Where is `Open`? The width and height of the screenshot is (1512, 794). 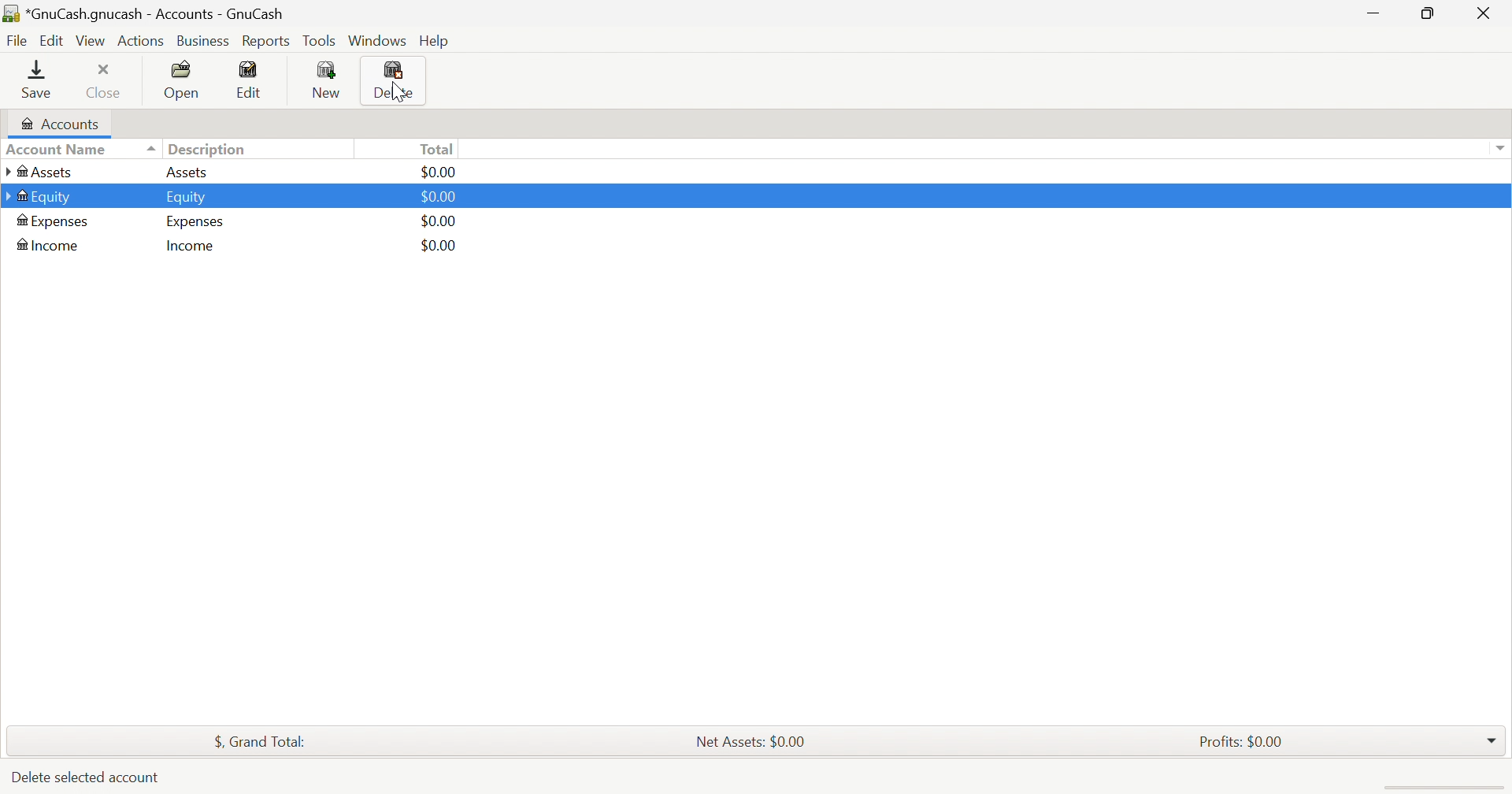 Open is located at coordinates (183, 80).